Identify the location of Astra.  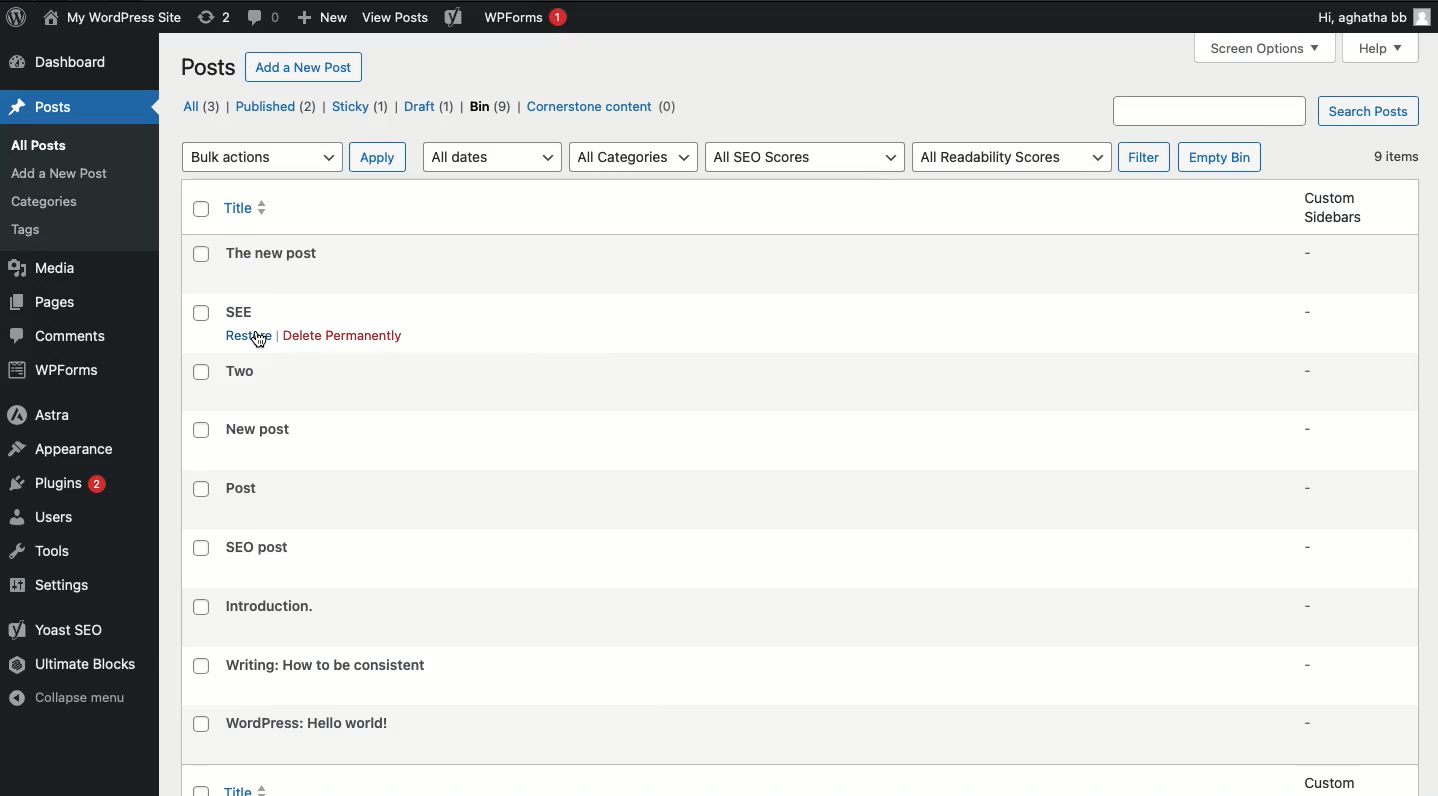
(43, 416).